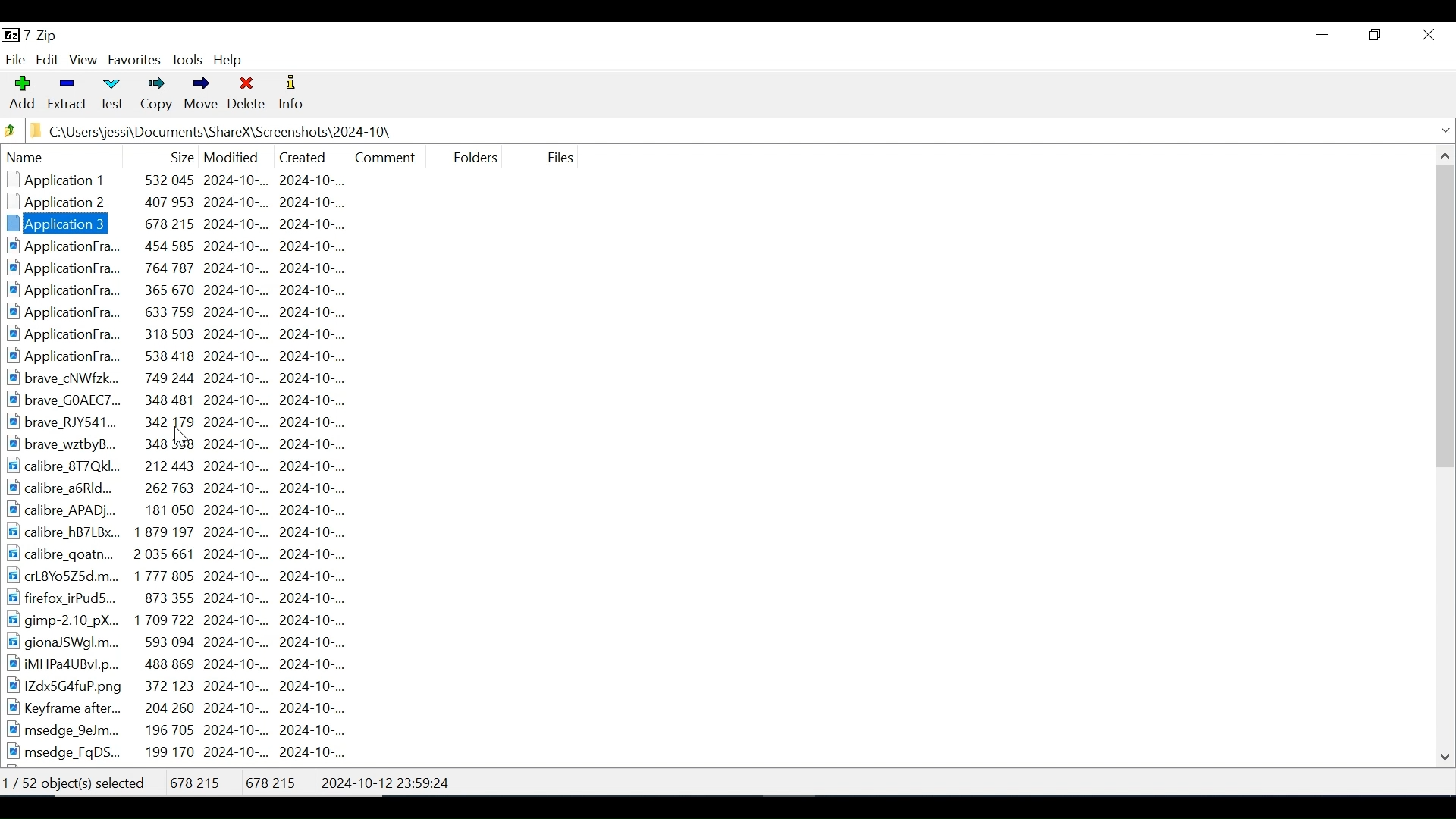 The width and height of the screenshot is (1456, 819). What do you see at coordinates (178, 155) in the screenshot?
I see `Size` at bounding box center [178, 155].